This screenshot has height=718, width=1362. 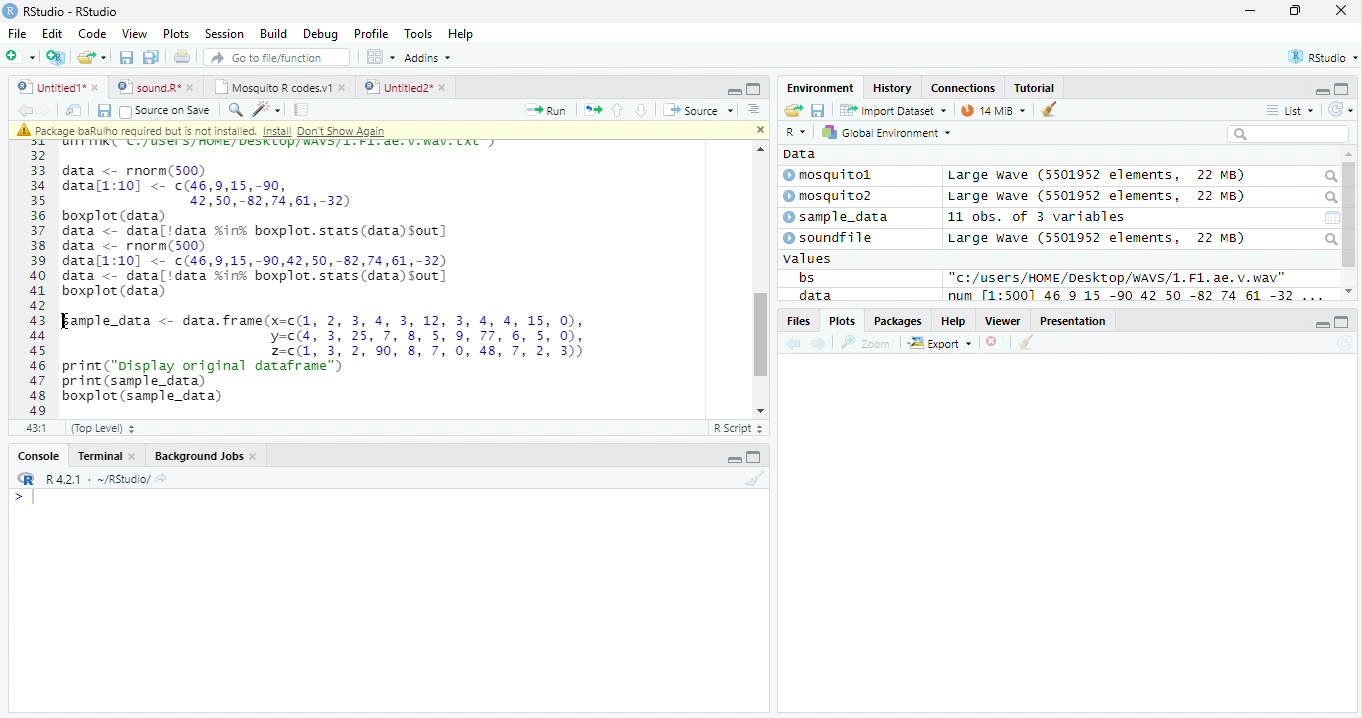 I want to click on 43:1, so click(x=36, y=427).